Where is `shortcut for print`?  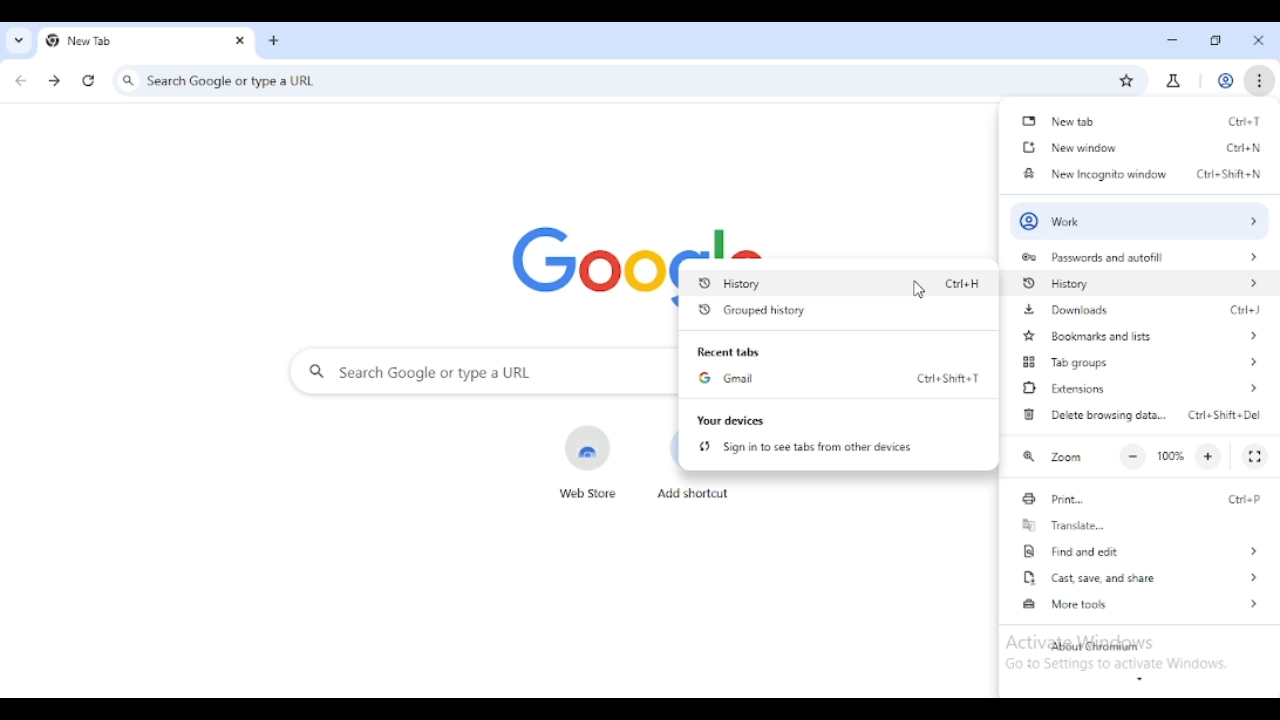 shortcut for print is located at coordinates (1240, 498).